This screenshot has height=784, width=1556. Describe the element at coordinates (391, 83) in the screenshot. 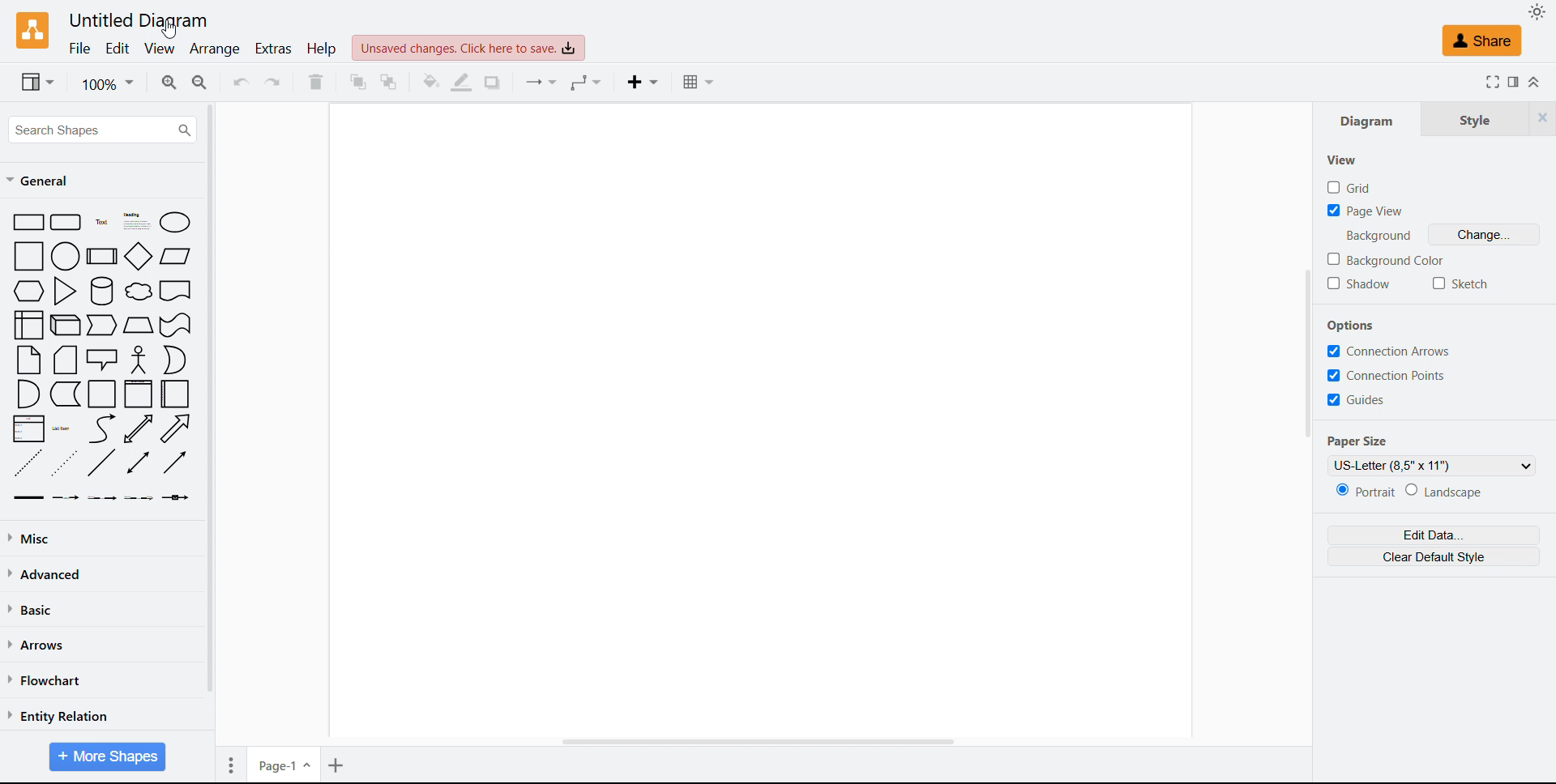

I see `Send to back ` at that location.